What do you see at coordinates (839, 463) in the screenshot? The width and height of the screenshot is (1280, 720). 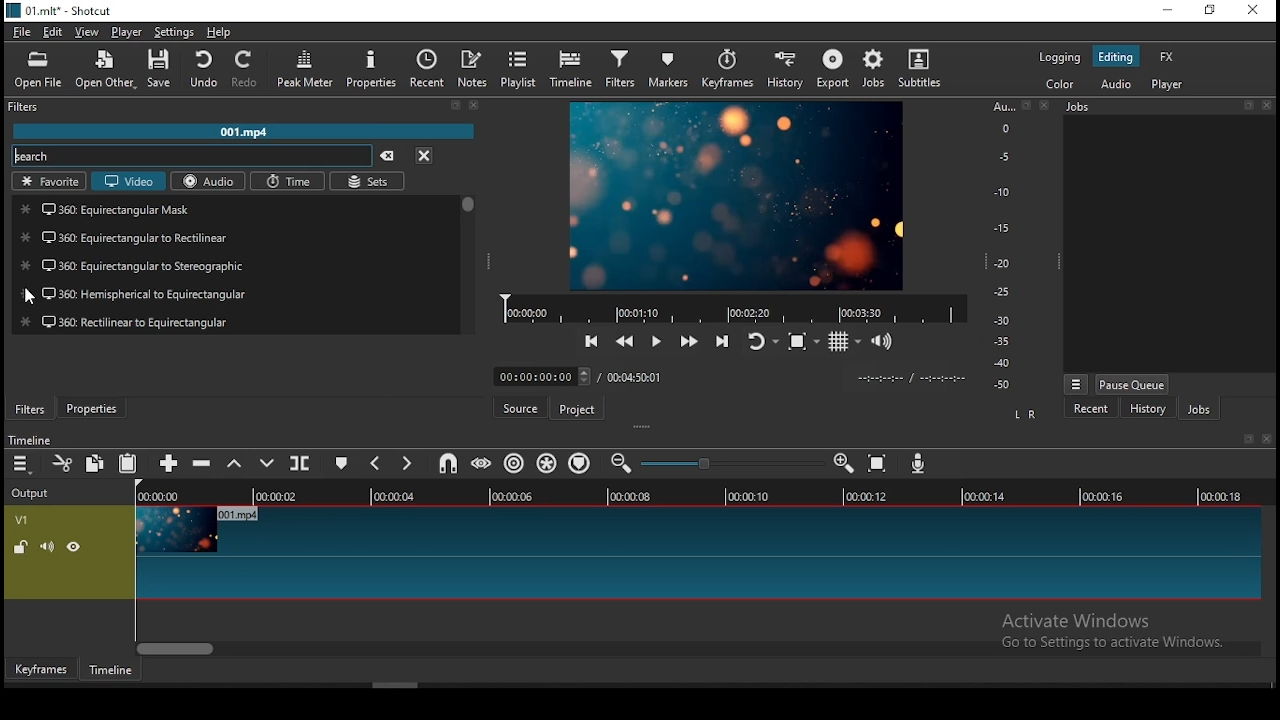 I see `zoom timeline` at bounding box center [839, 463].